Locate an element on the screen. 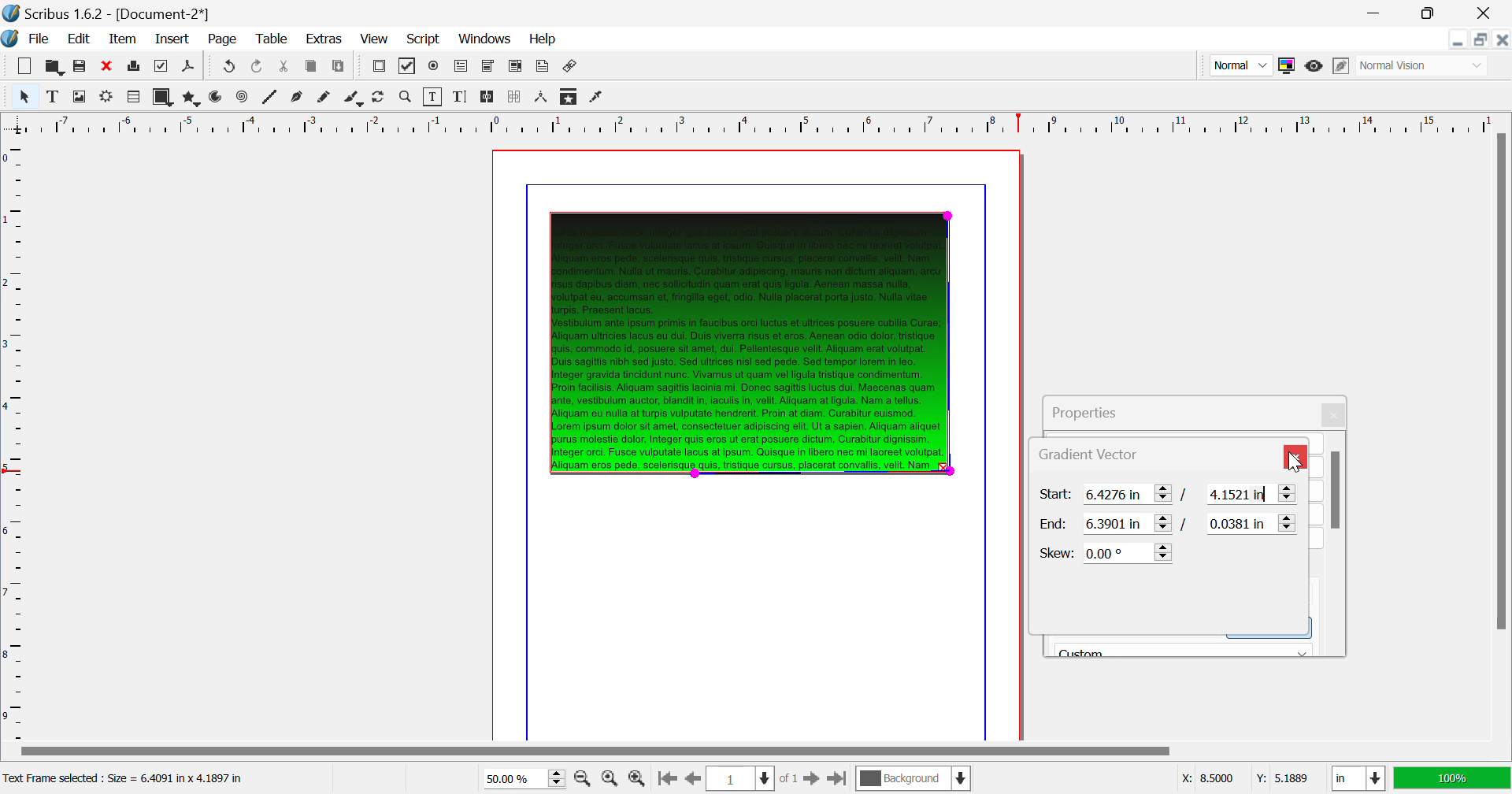 The width and height of the screenshot is (1512, 794). Scroll Bar is located at coordinates (755, 752).